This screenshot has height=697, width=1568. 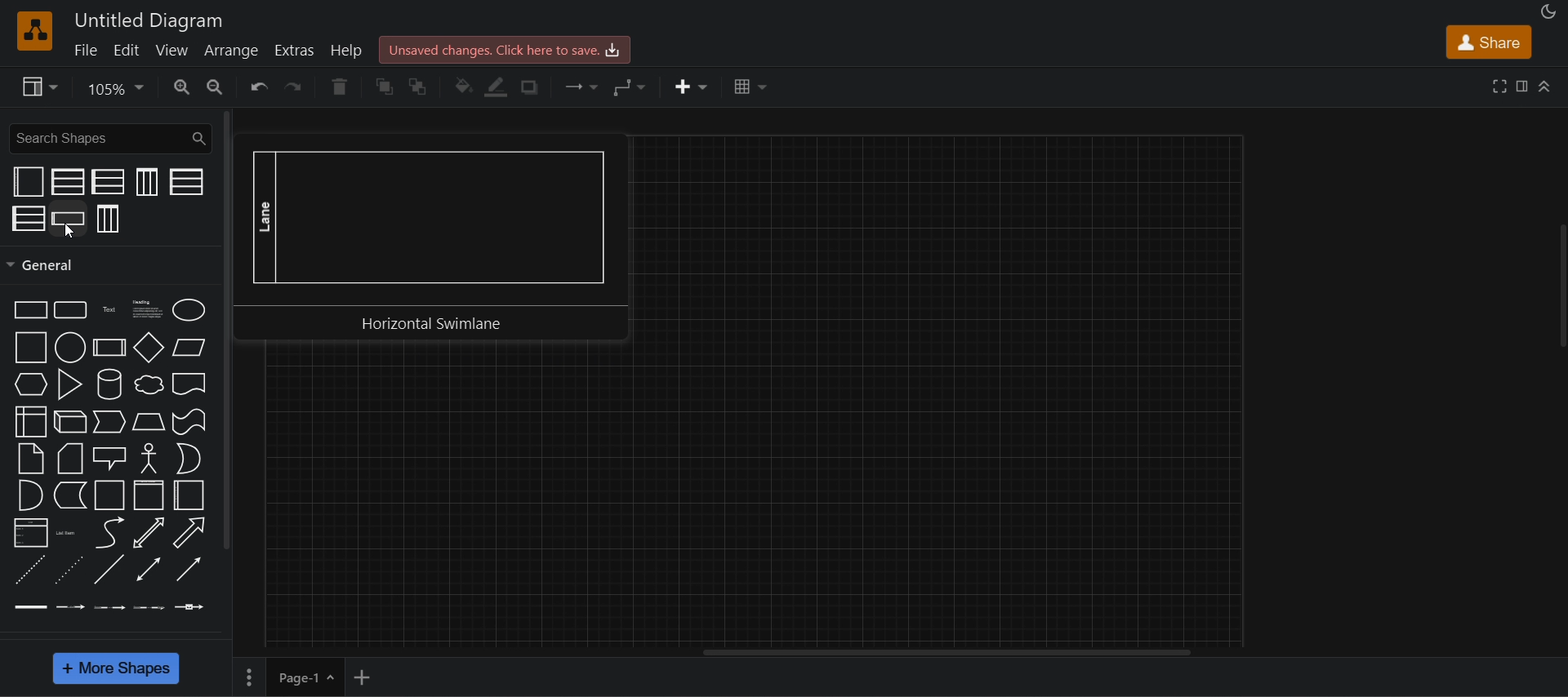 What do you see at coordinates (297, 51) in the screenshot?
I see `extras` at bounding box center [297, 51].